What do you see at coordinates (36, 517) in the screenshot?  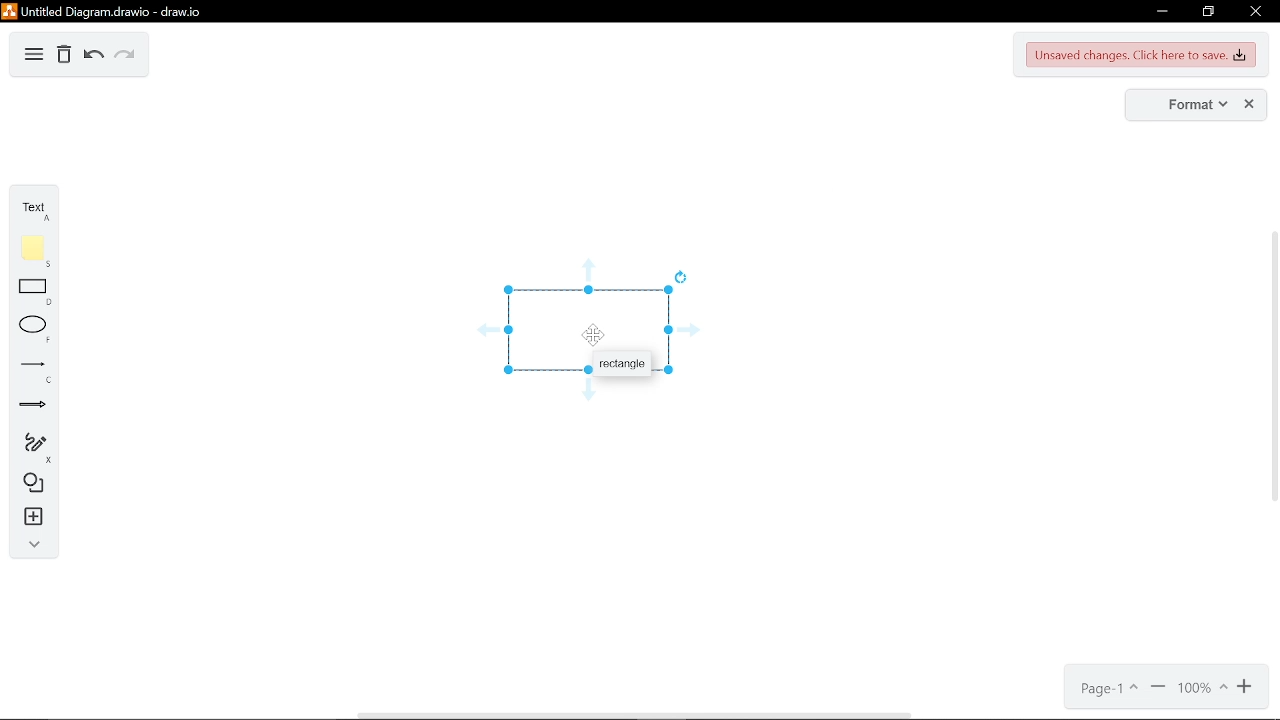 I see `insert` at bounding box center [36, 517].